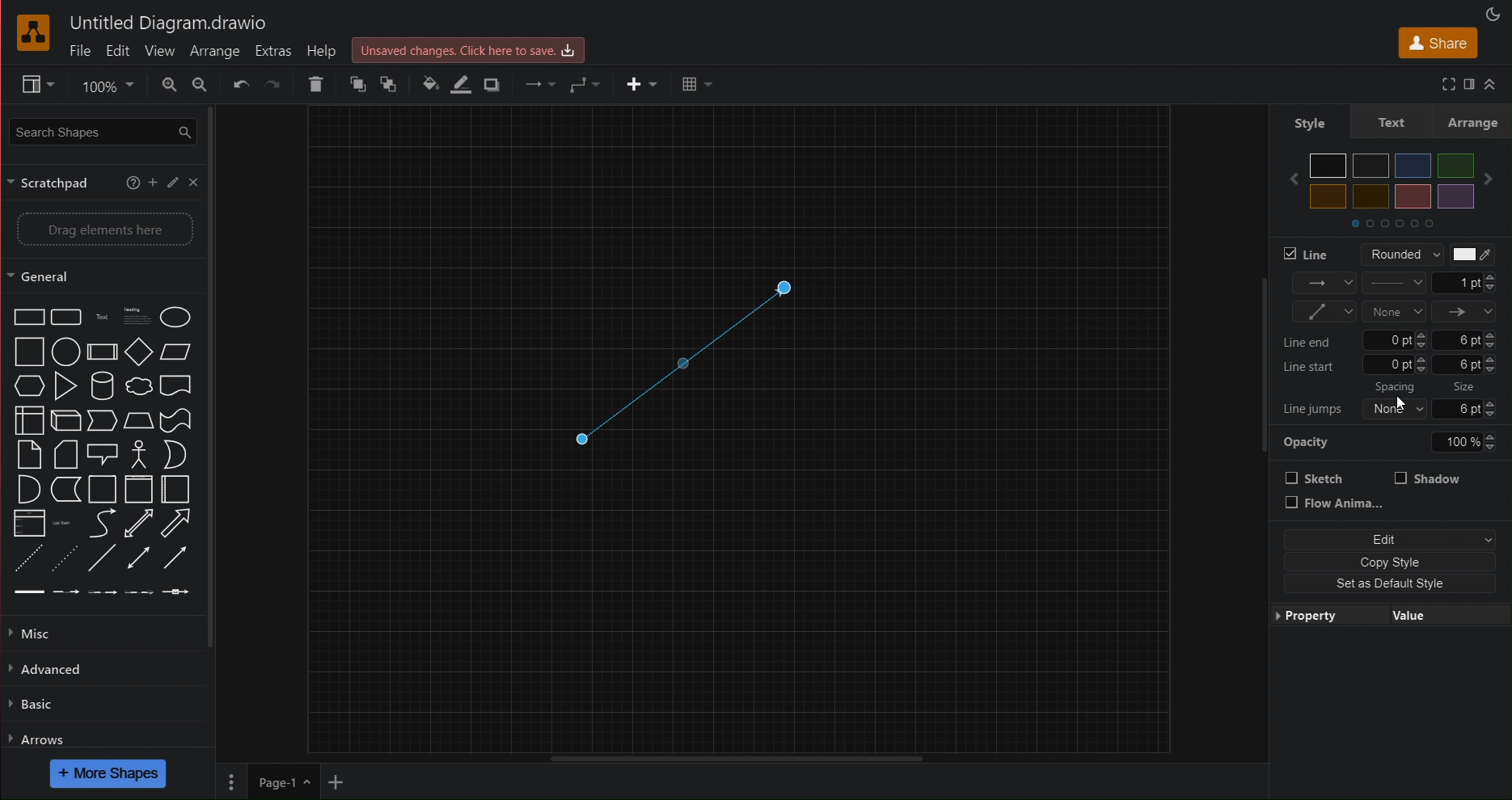 This screenshot has height=800, width=1512. What do you see at coordinates (118, 51) in the screenshot?
I see `Edit` at bounding box center [118, 51].